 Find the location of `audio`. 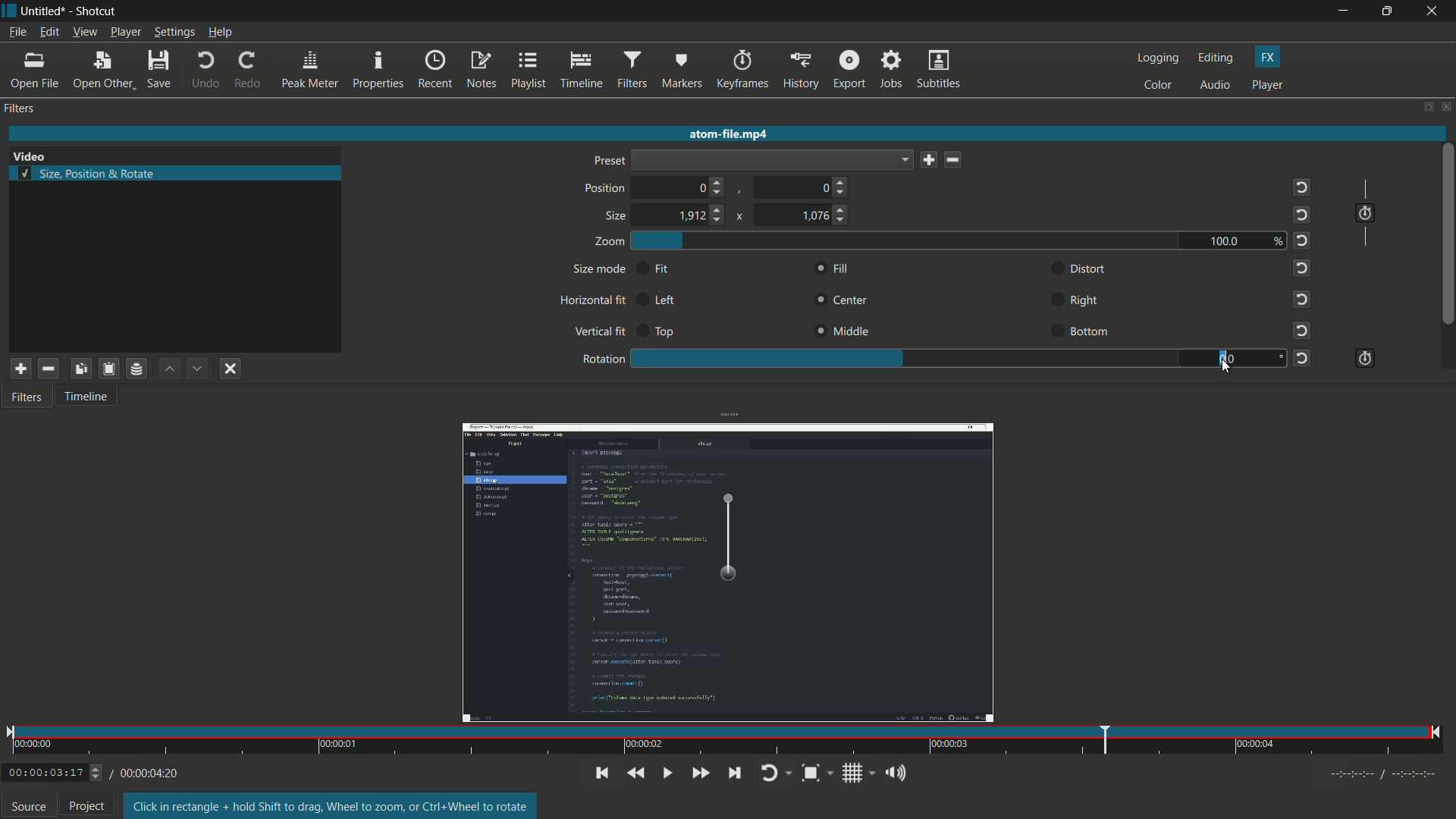

audio is located at coordinates (1216, 86).